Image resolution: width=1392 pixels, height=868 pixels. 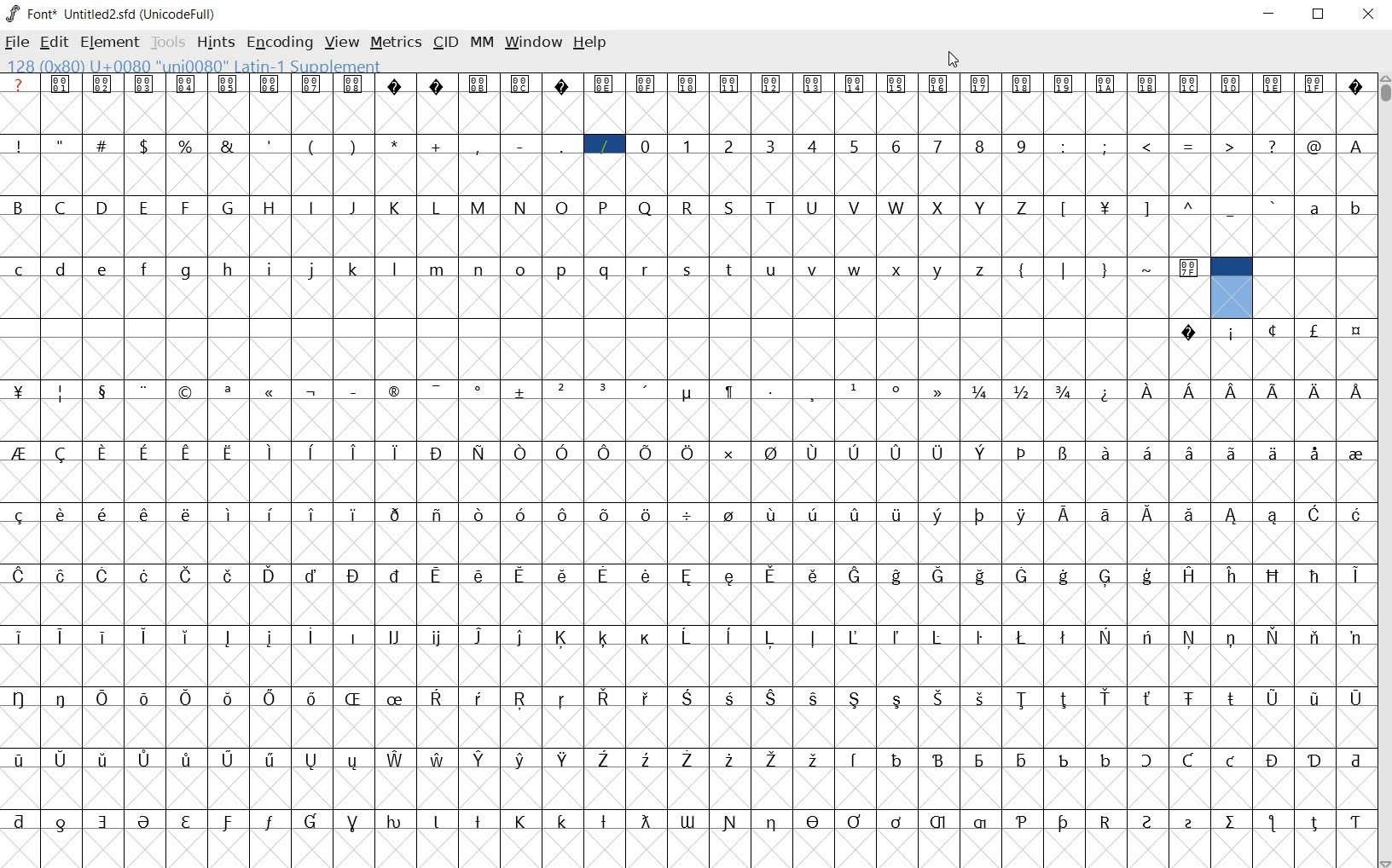 I want to click on Symbol, so click(x=772, y=391).